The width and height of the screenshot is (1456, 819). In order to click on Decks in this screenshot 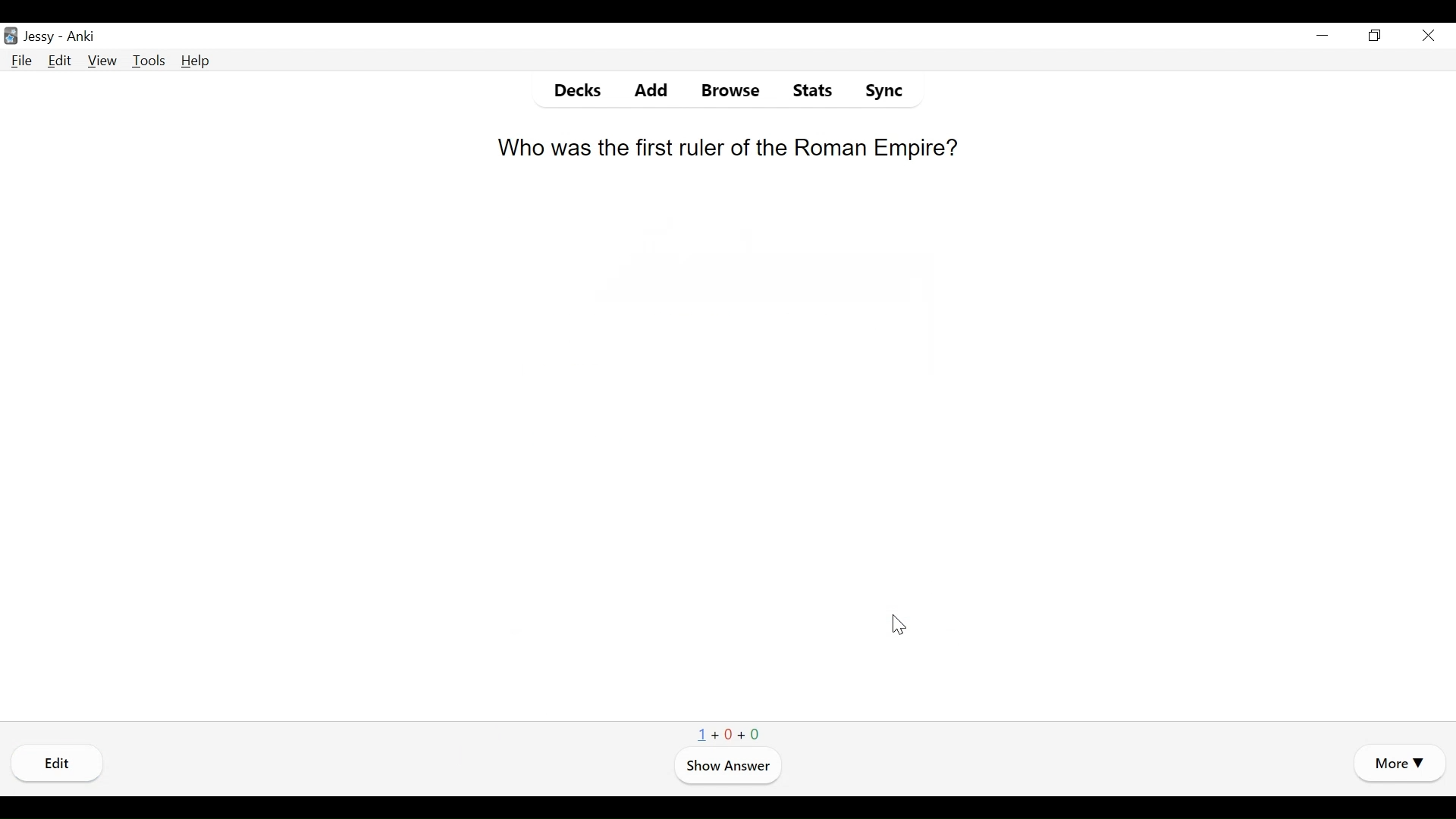, I will do `click(571, 89)`.